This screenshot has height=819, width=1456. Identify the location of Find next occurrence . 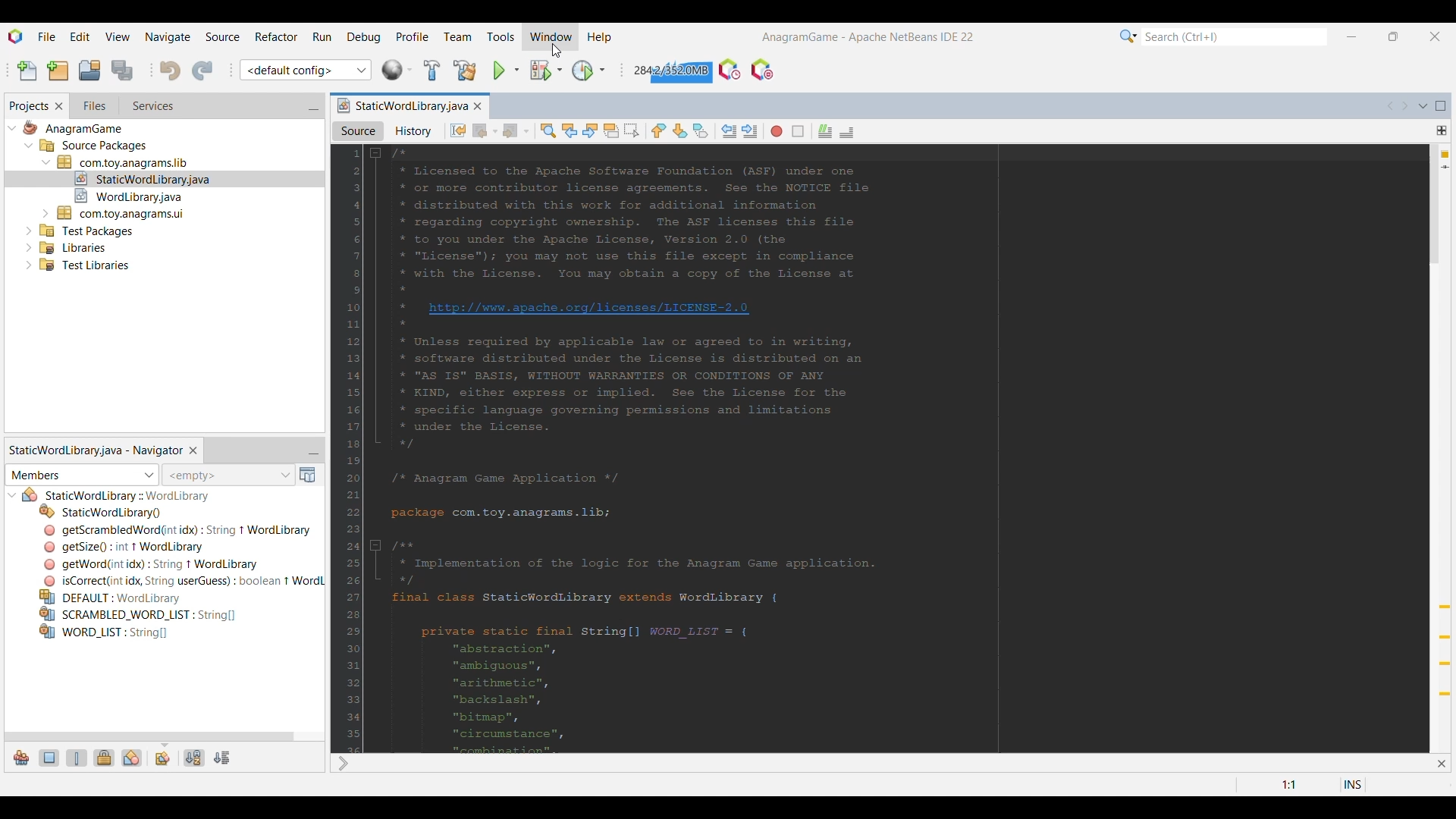
(589, 130).